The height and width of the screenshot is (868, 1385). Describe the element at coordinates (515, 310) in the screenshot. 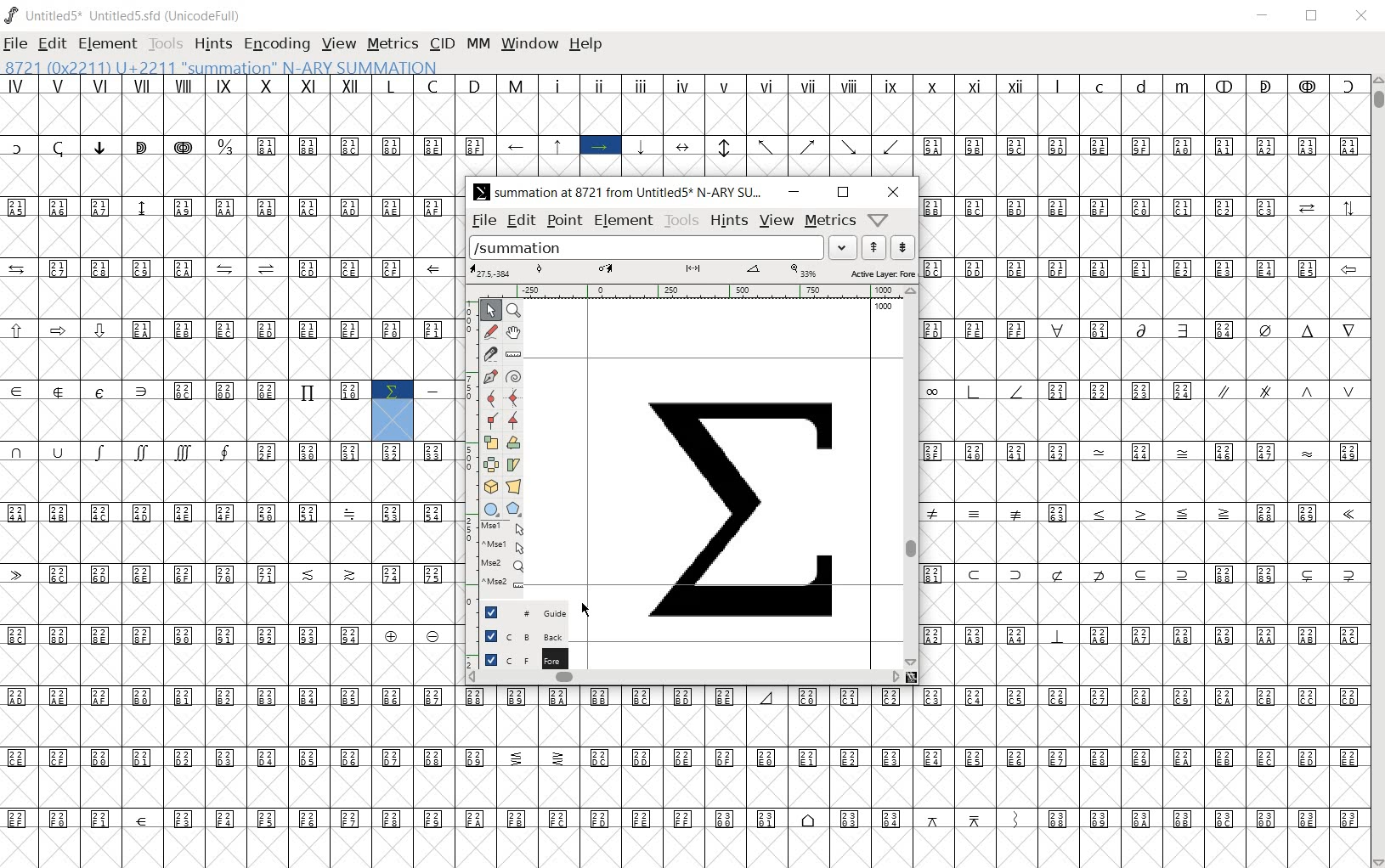

I see `MAGNIFY` at that location.